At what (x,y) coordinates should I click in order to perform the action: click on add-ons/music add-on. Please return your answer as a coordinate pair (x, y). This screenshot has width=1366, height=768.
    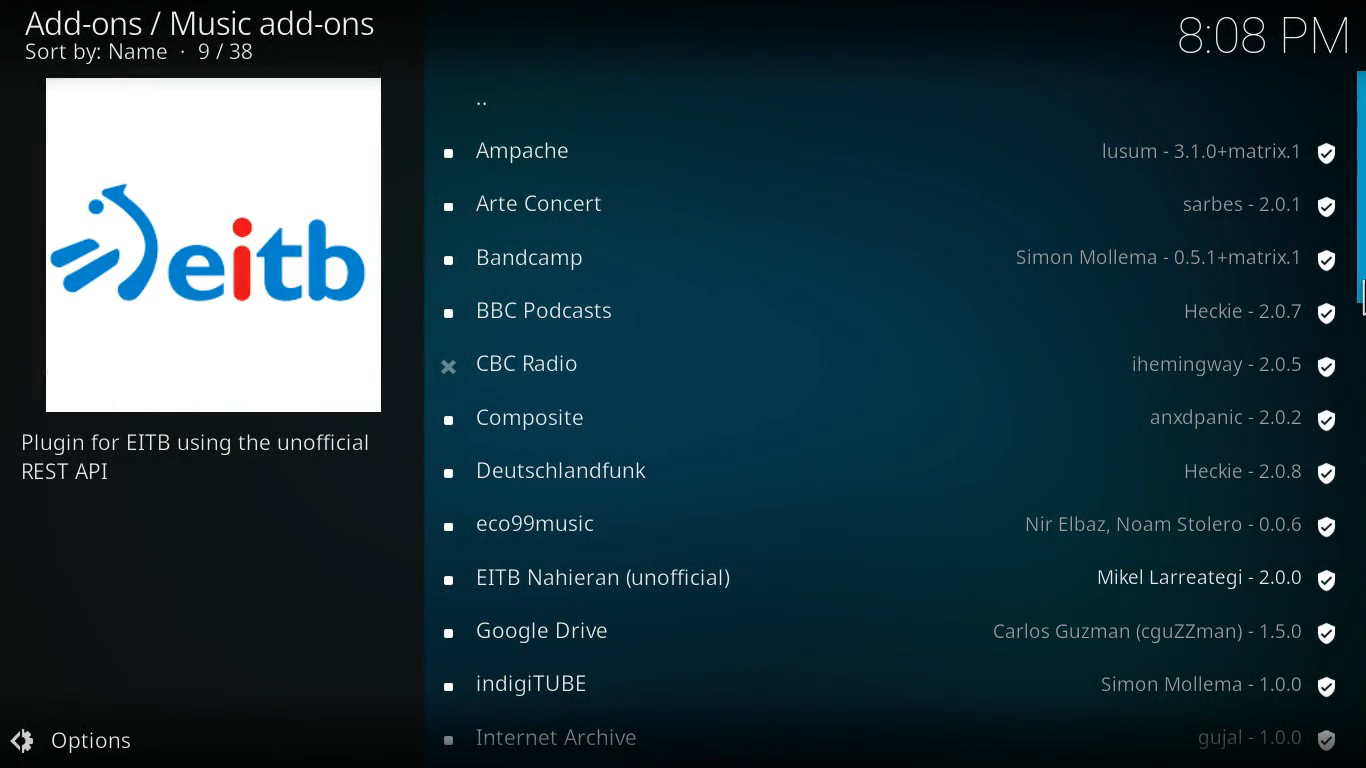
    Looking at the image, I should click on (208, 24).